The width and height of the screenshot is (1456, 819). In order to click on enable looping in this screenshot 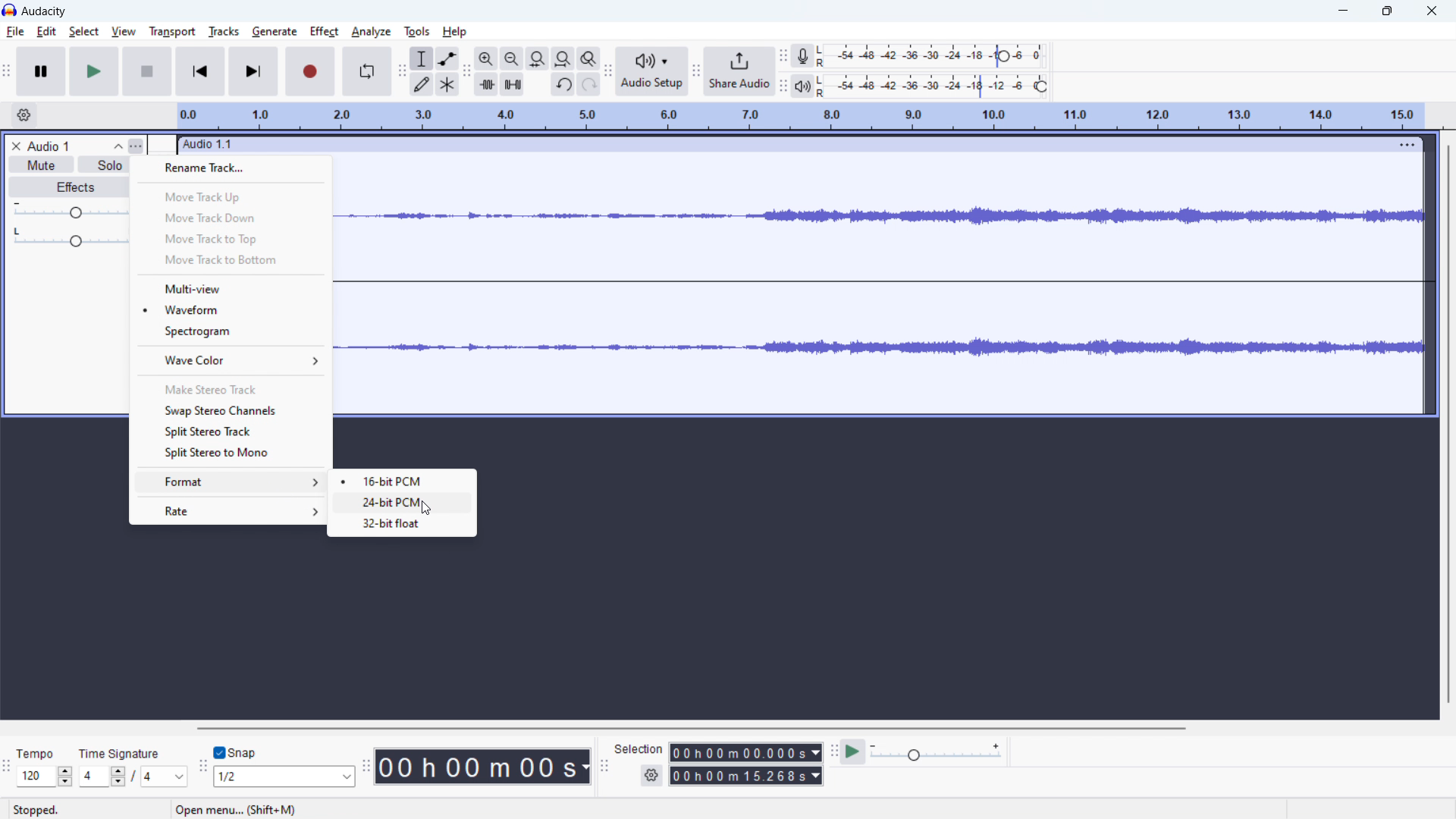, I will do `click(366, 71)`.